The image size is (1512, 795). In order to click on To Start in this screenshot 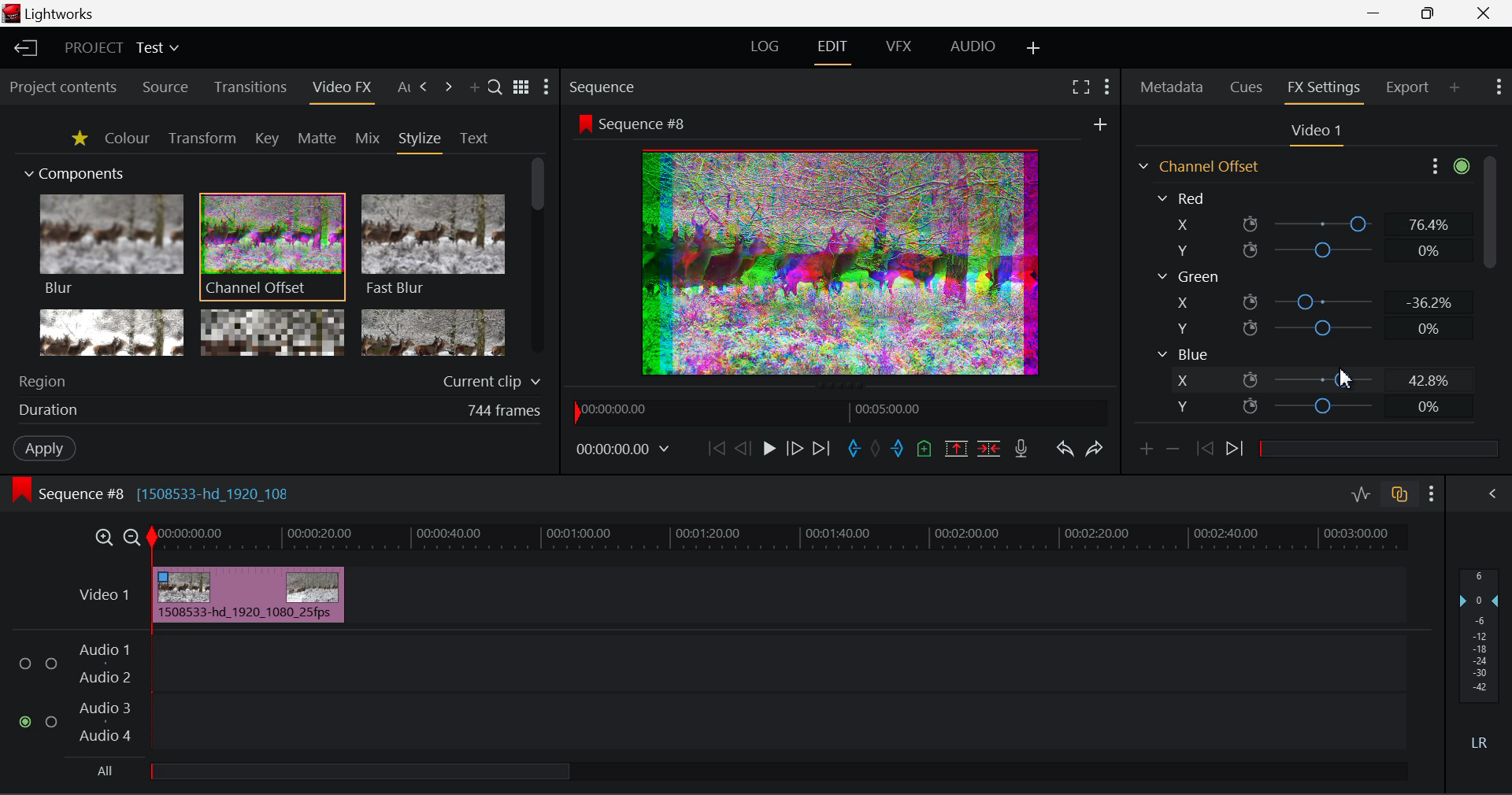, I will do `click(717, 447)`.